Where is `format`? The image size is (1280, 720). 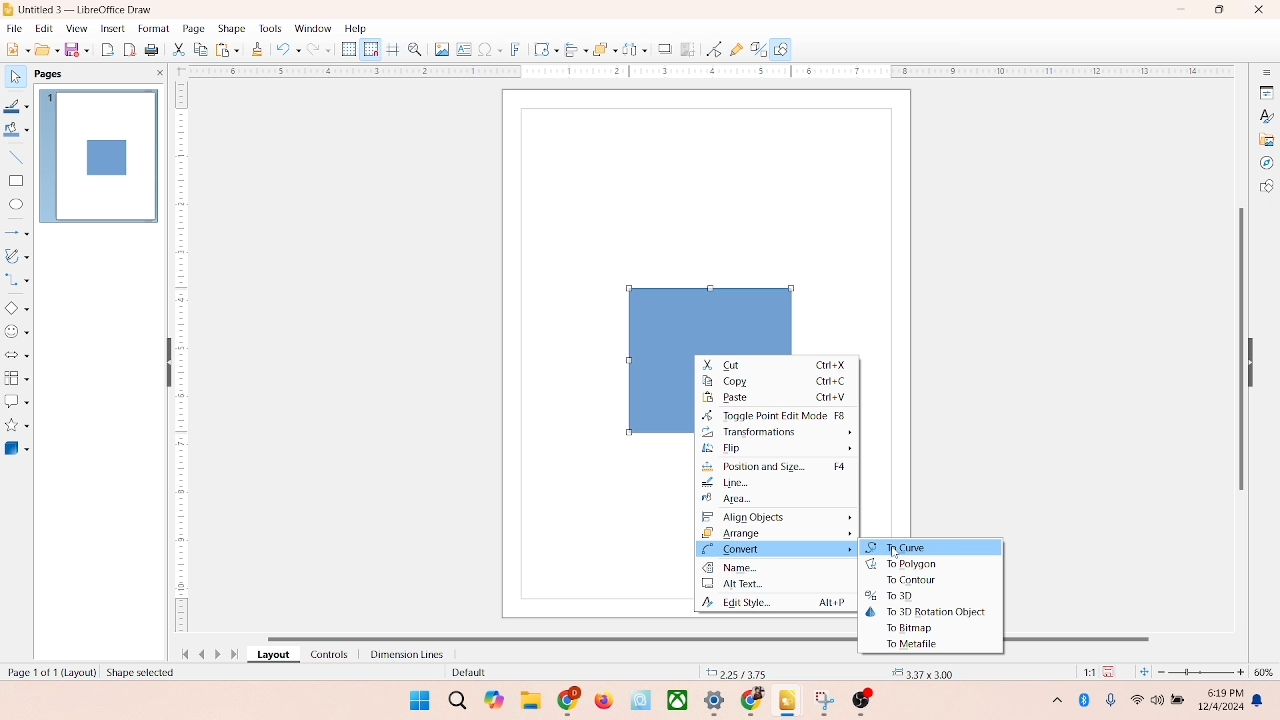
format is located at coordinates (153, 27).